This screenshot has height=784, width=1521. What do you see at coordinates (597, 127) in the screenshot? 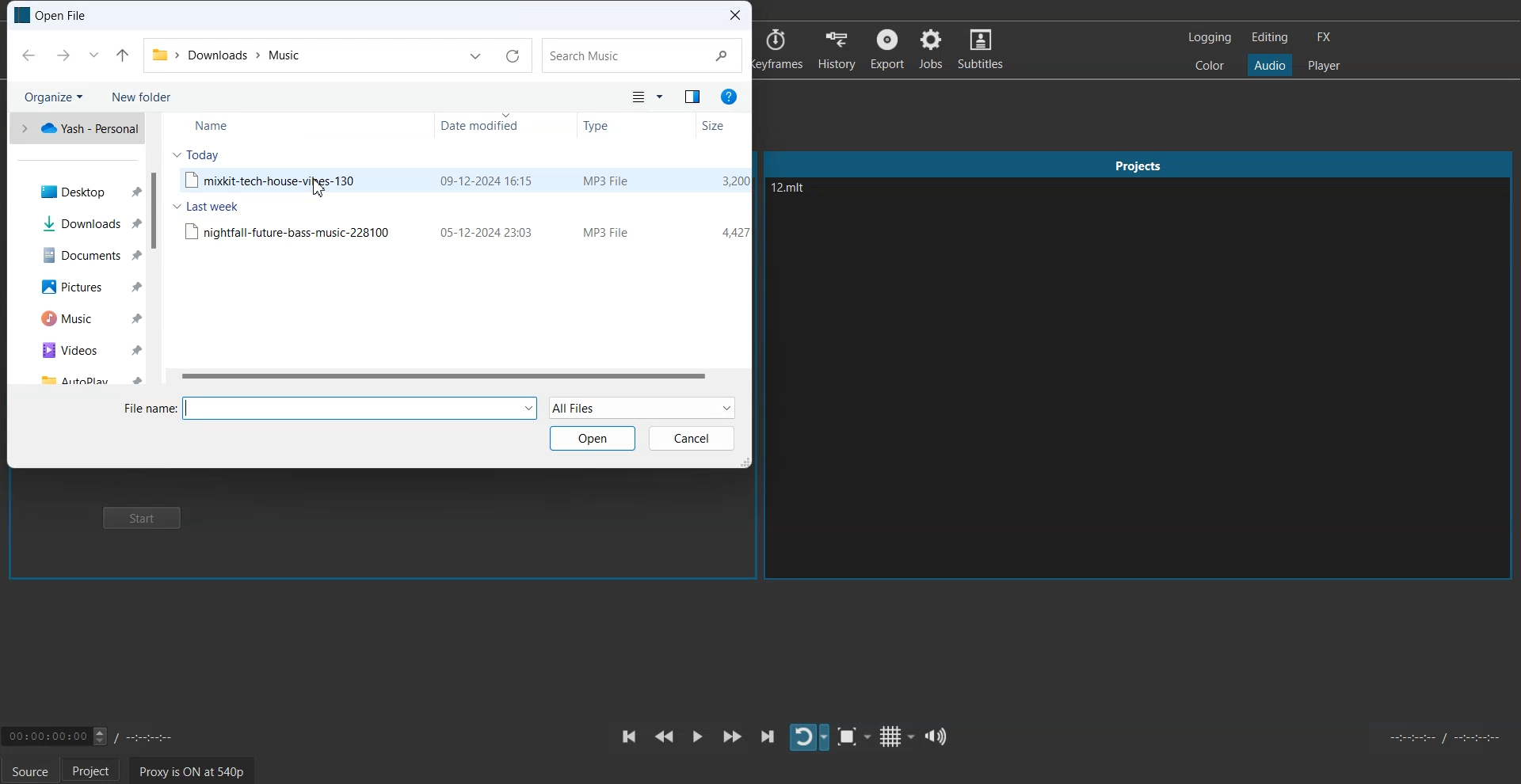
I see `Type` at bounding box center [597, 127].